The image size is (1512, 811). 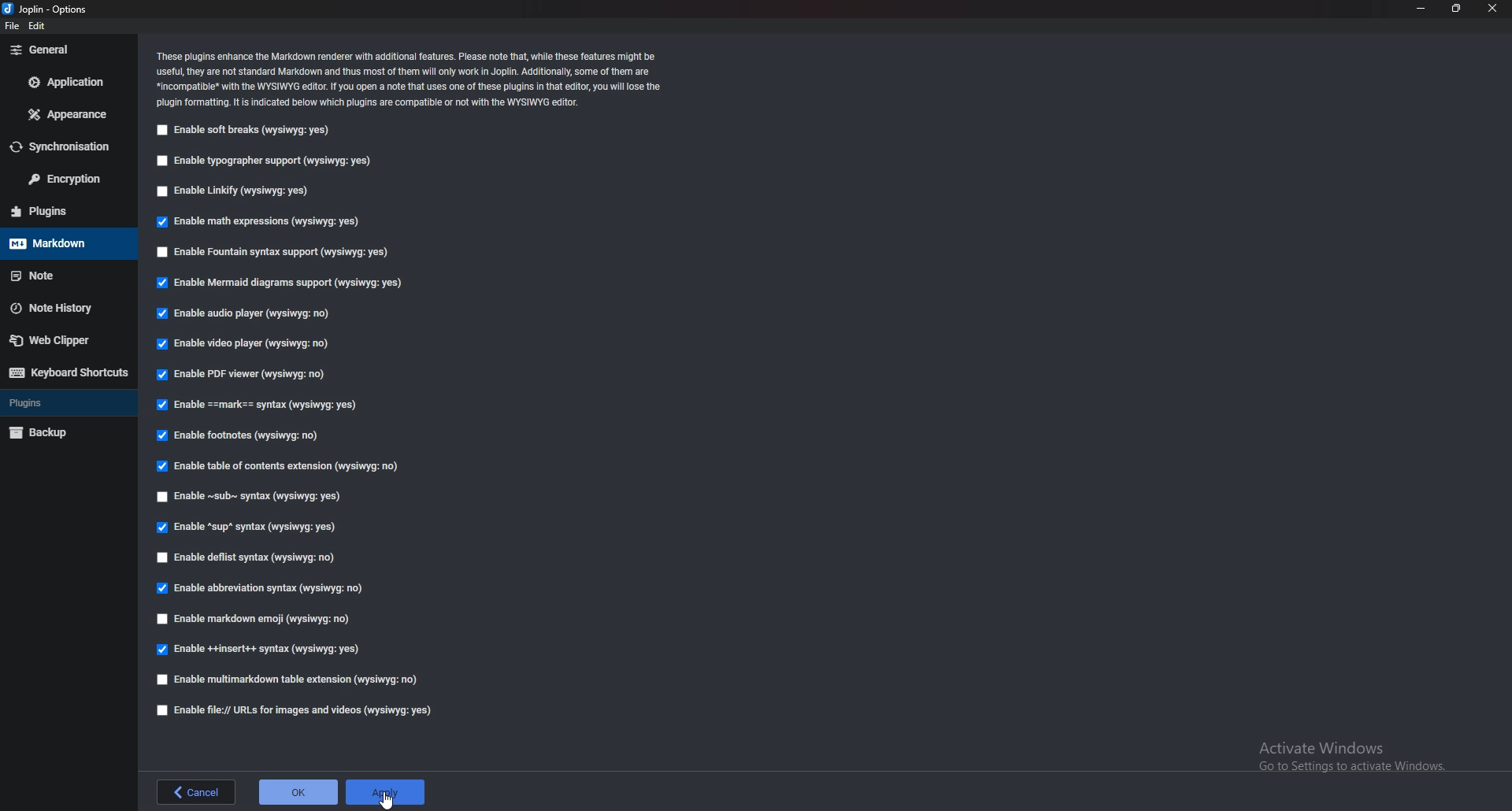 I want to click on file, so click(x=11, y=26).